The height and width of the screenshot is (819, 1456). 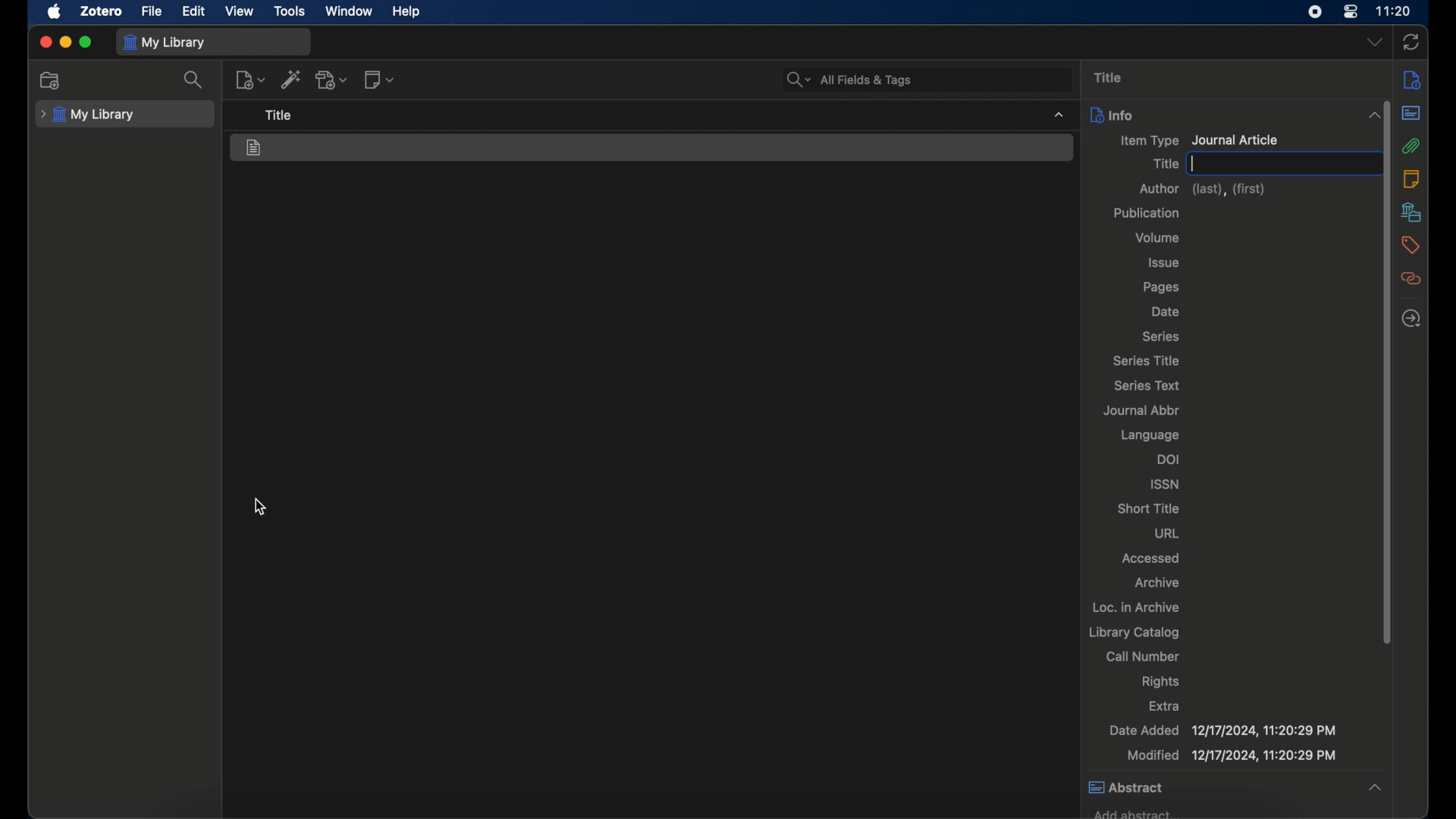 I want to click on loc. in archive, so click(x=1137, y=607).